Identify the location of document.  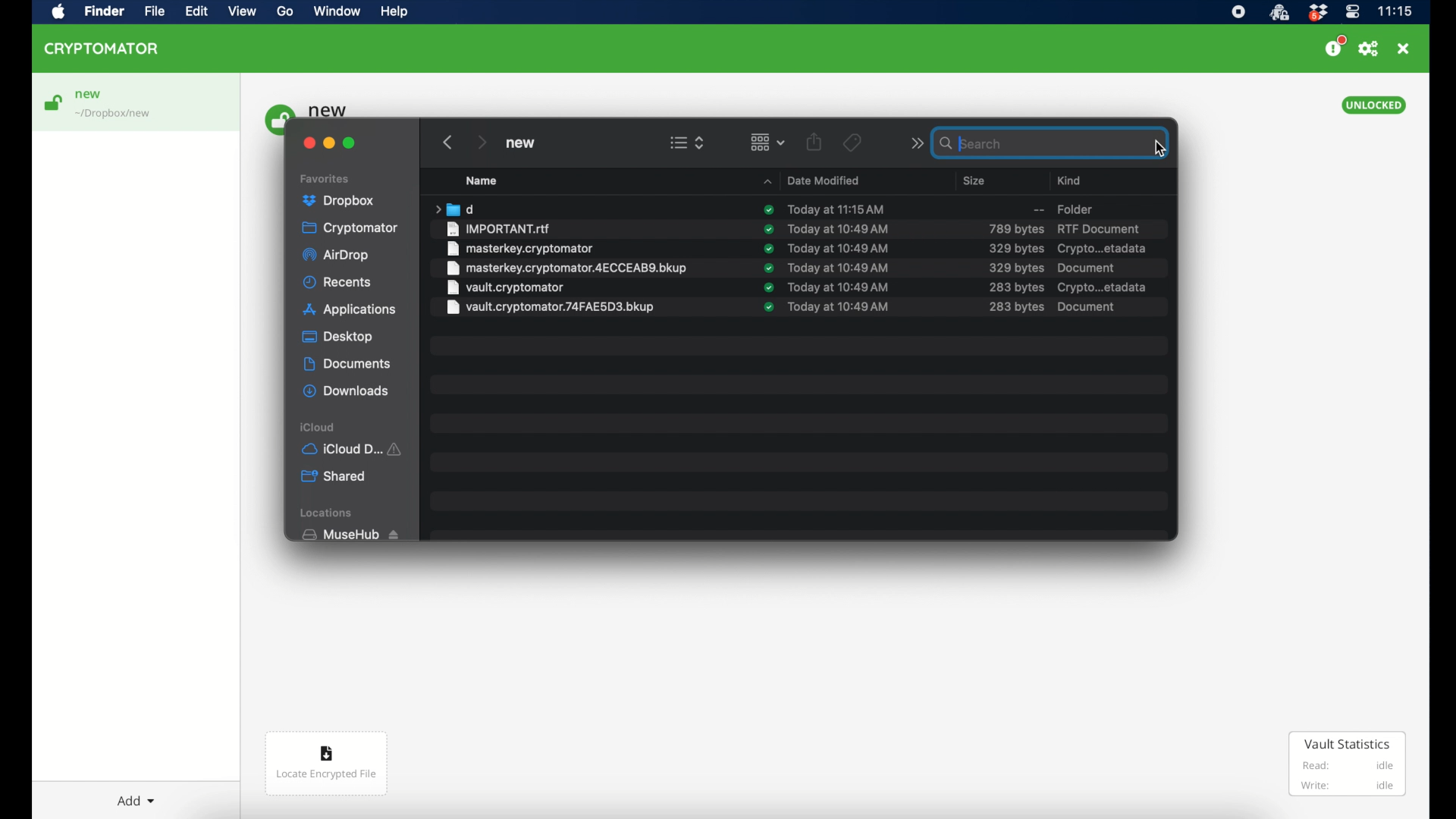
(1087, 268).